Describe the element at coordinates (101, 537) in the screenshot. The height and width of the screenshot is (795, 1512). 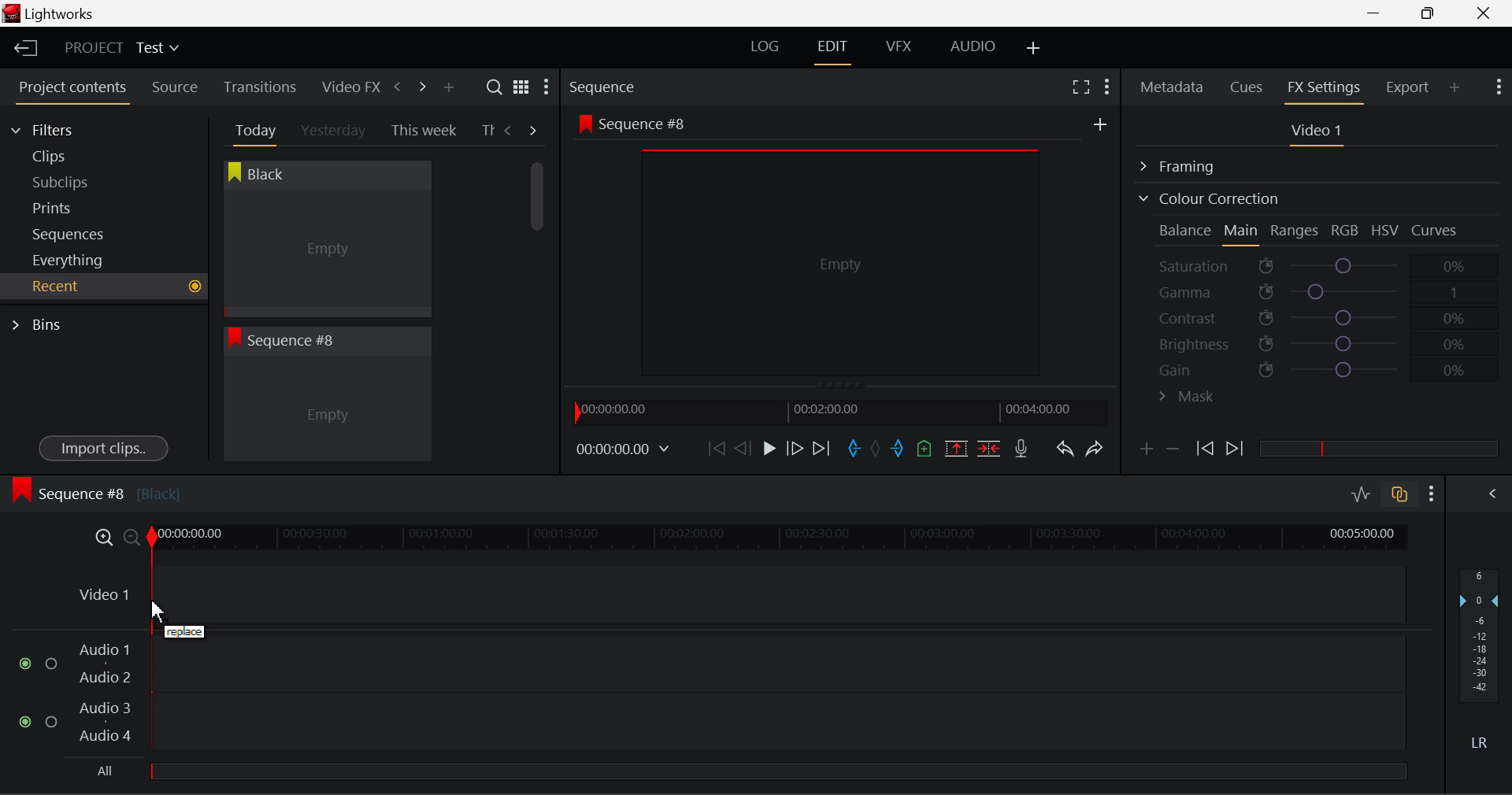
I see `Timeline Zoom In` at that location.